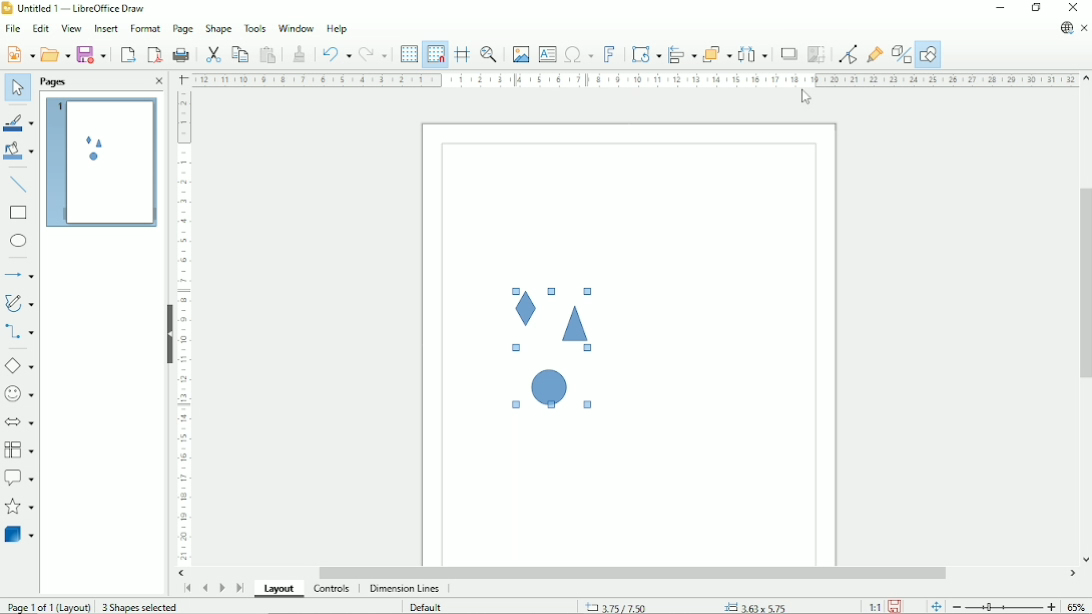 The image size is (1092, 614). Describe the element at coordinates (19, 184) in the screenshot. I see `Insert line` at that location.